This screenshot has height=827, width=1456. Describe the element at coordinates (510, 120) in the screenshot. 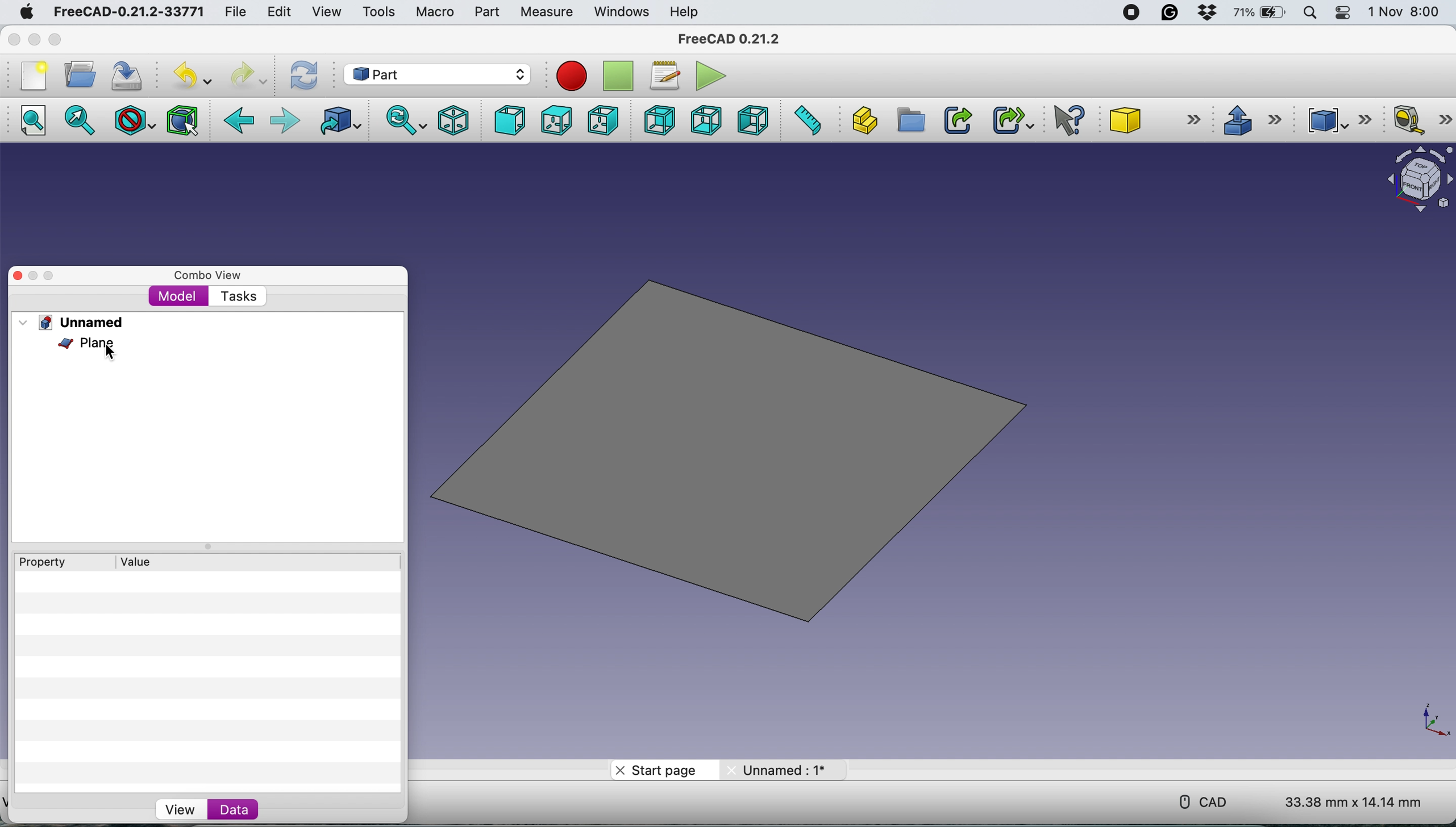

I see `front` at that location.